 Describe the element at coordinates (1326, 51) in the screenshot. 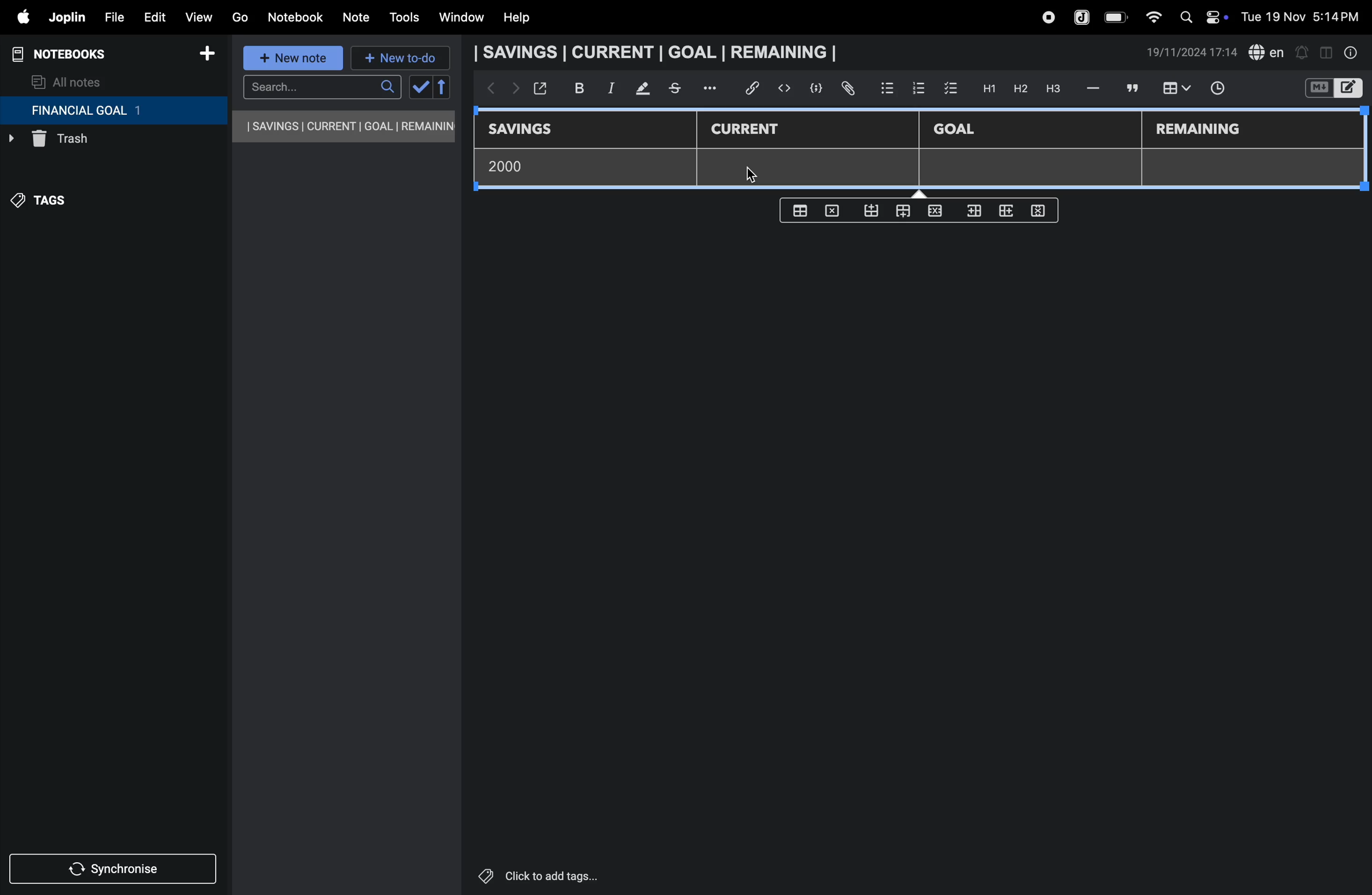

I see `toggle editor` at that location.